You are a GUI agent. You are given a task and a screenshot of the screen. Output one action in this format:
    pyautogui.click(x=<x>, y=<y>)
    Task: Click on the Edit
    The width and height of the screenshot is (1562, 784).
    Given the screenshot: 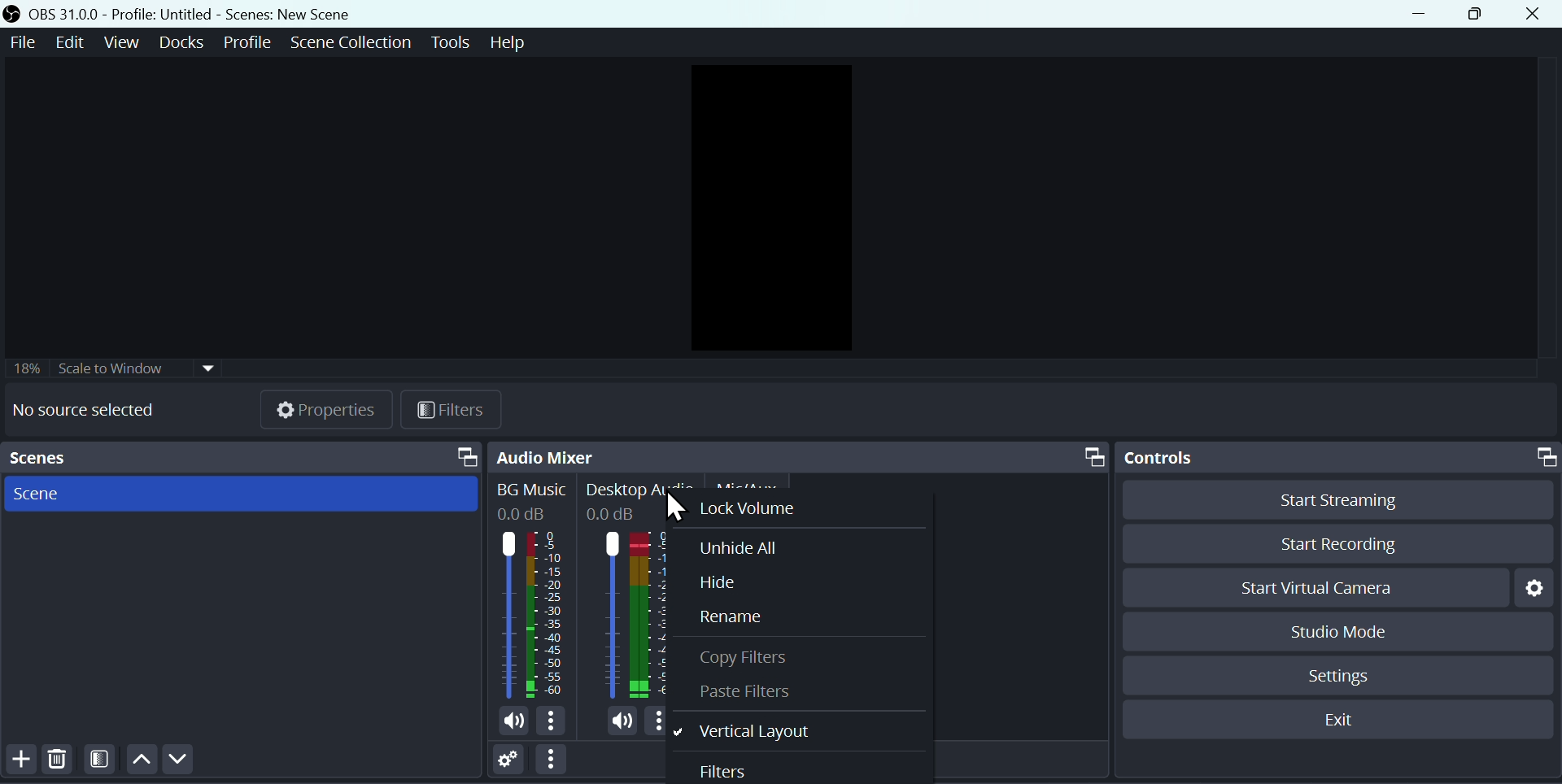 What is the action you would take?
    pyautogui.click(x=73, y=42)
    